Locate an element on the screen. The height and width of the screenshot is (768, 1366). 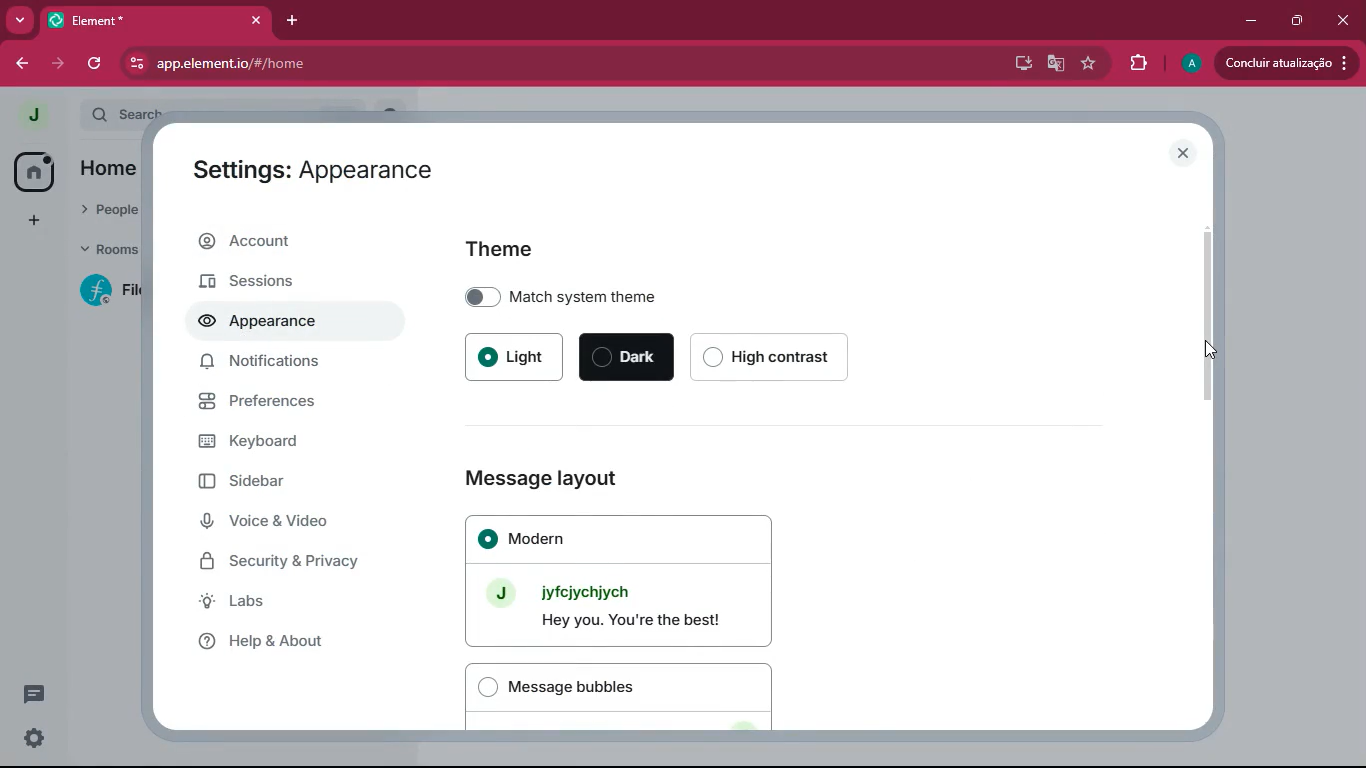
help is located at coordinates (301, 640).